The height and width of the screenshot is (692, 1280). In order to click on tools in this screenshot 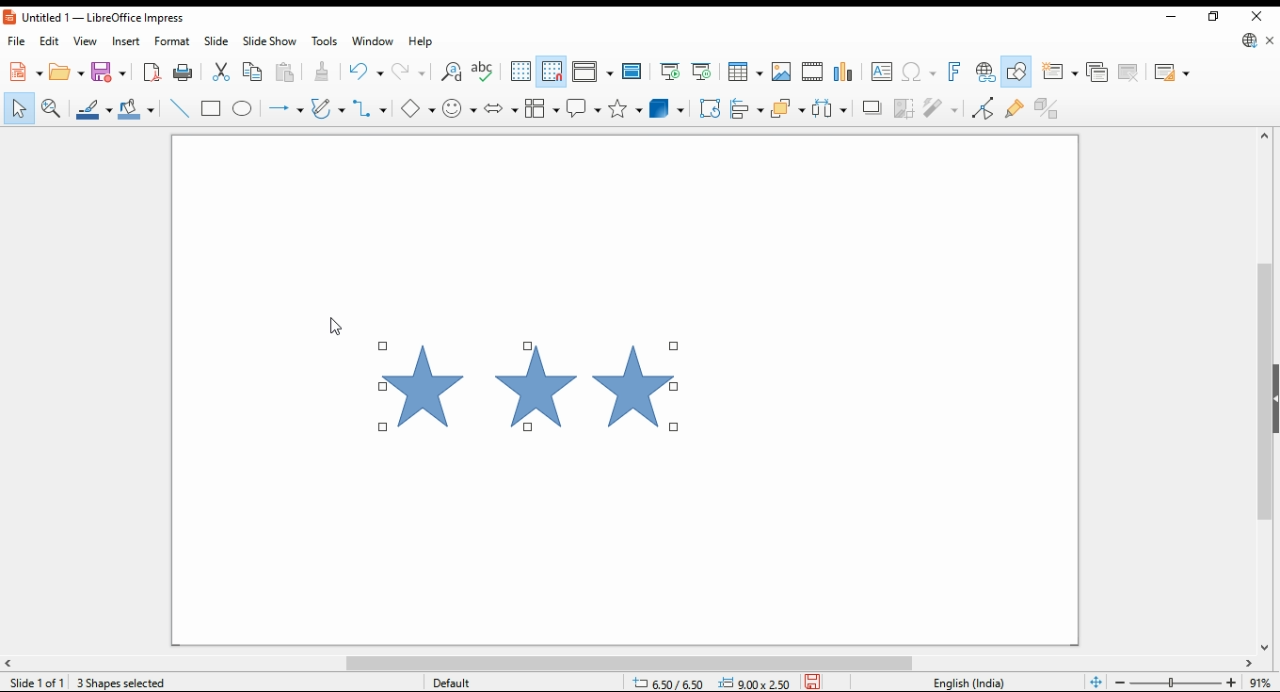, I will do `click(323, 40)`.